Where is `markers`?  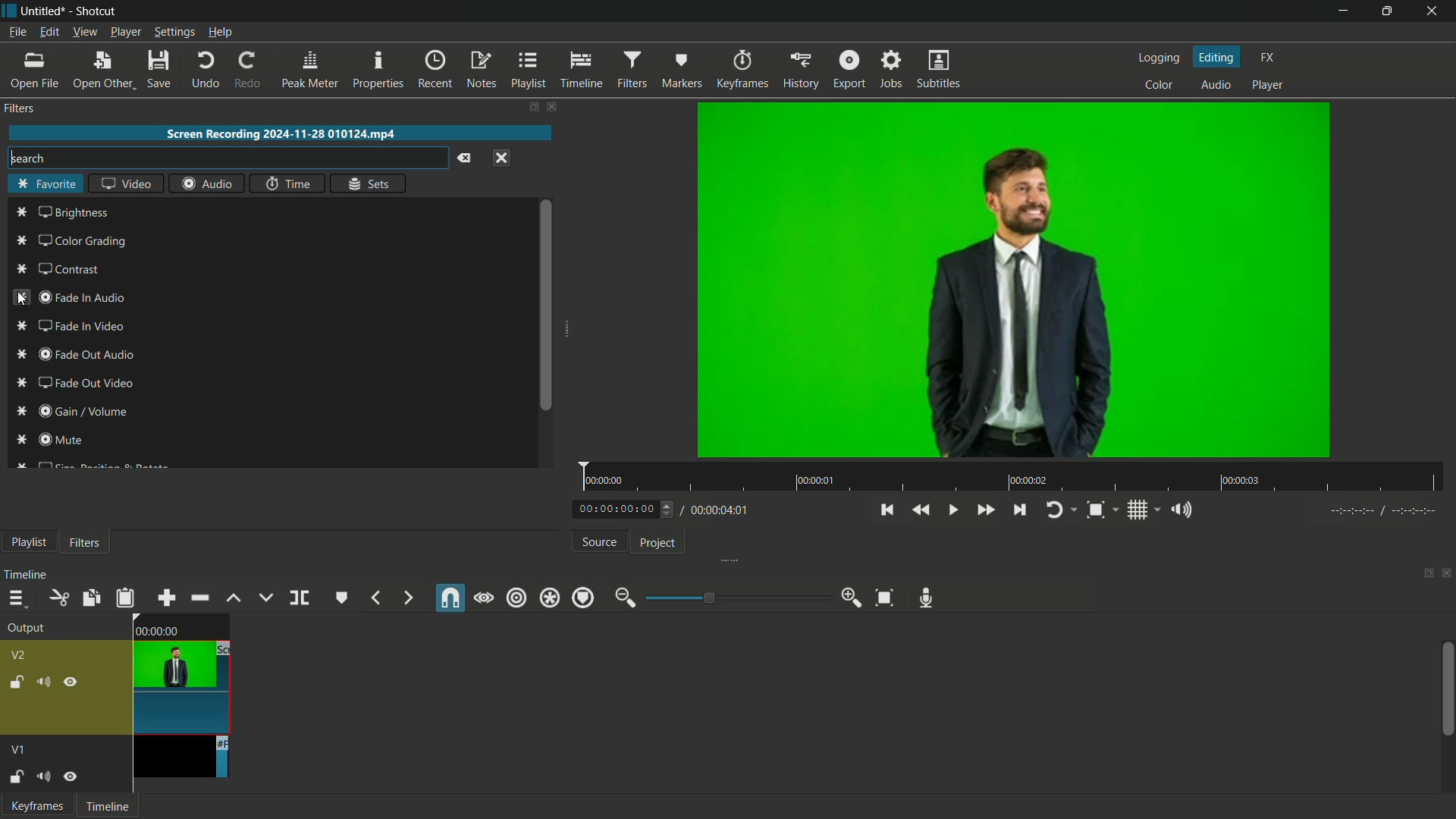 markers is located at coordinates (680, 70).